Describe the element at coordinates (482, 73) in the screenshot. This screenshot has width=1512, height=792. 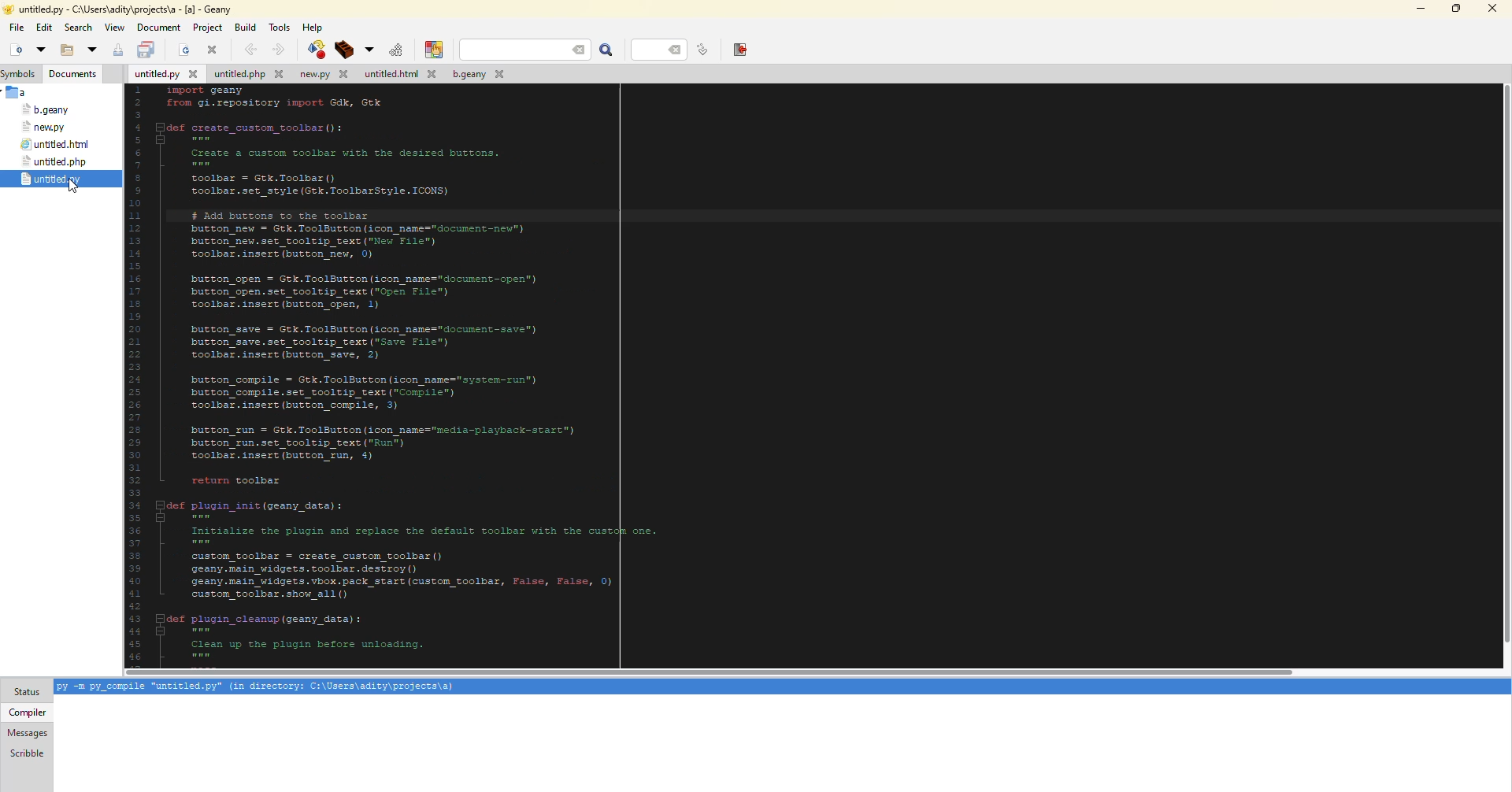
I see `b.geansy` at that location.